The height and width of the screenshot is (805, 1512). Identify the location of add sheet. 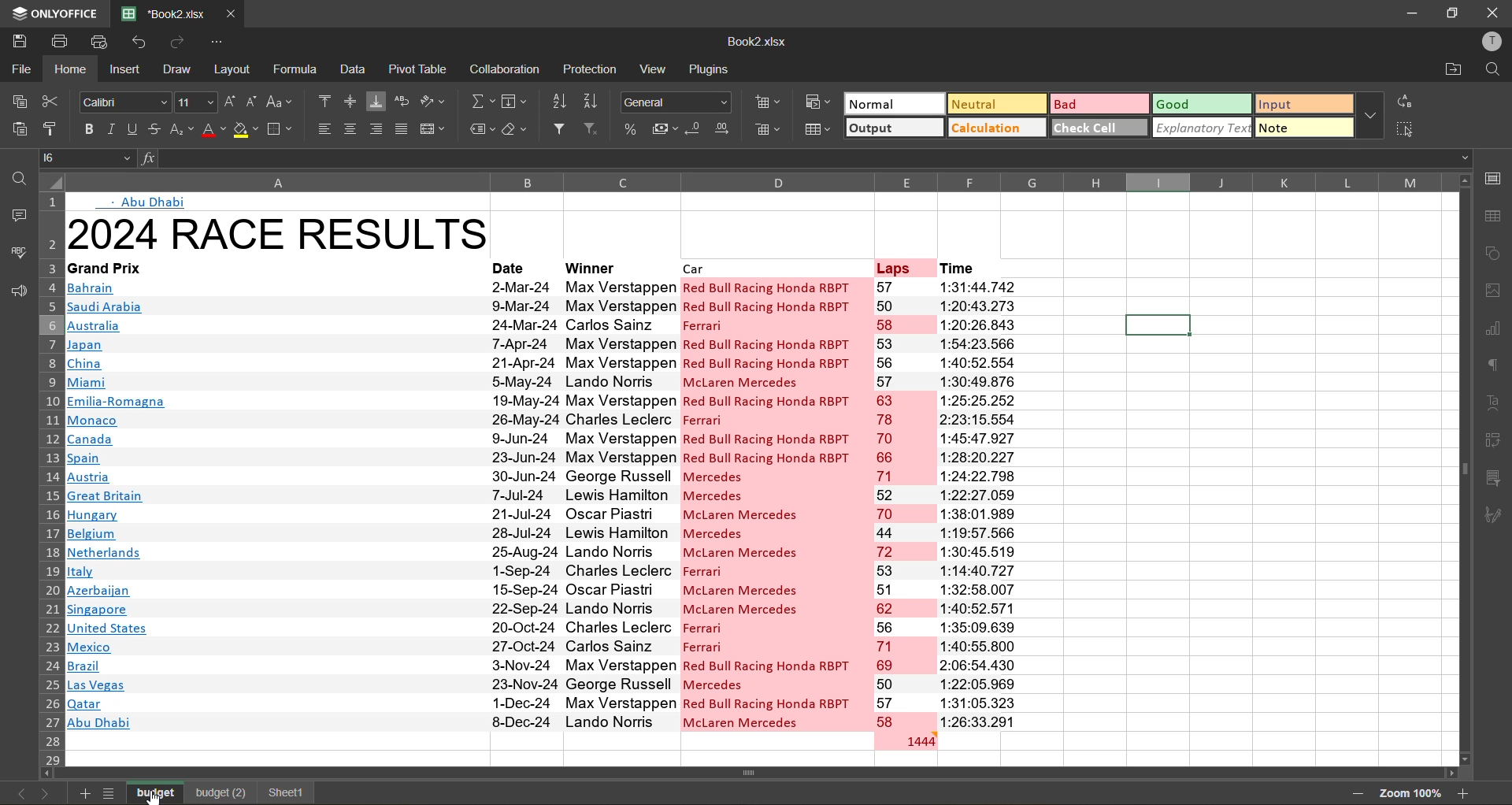
(82, 793).